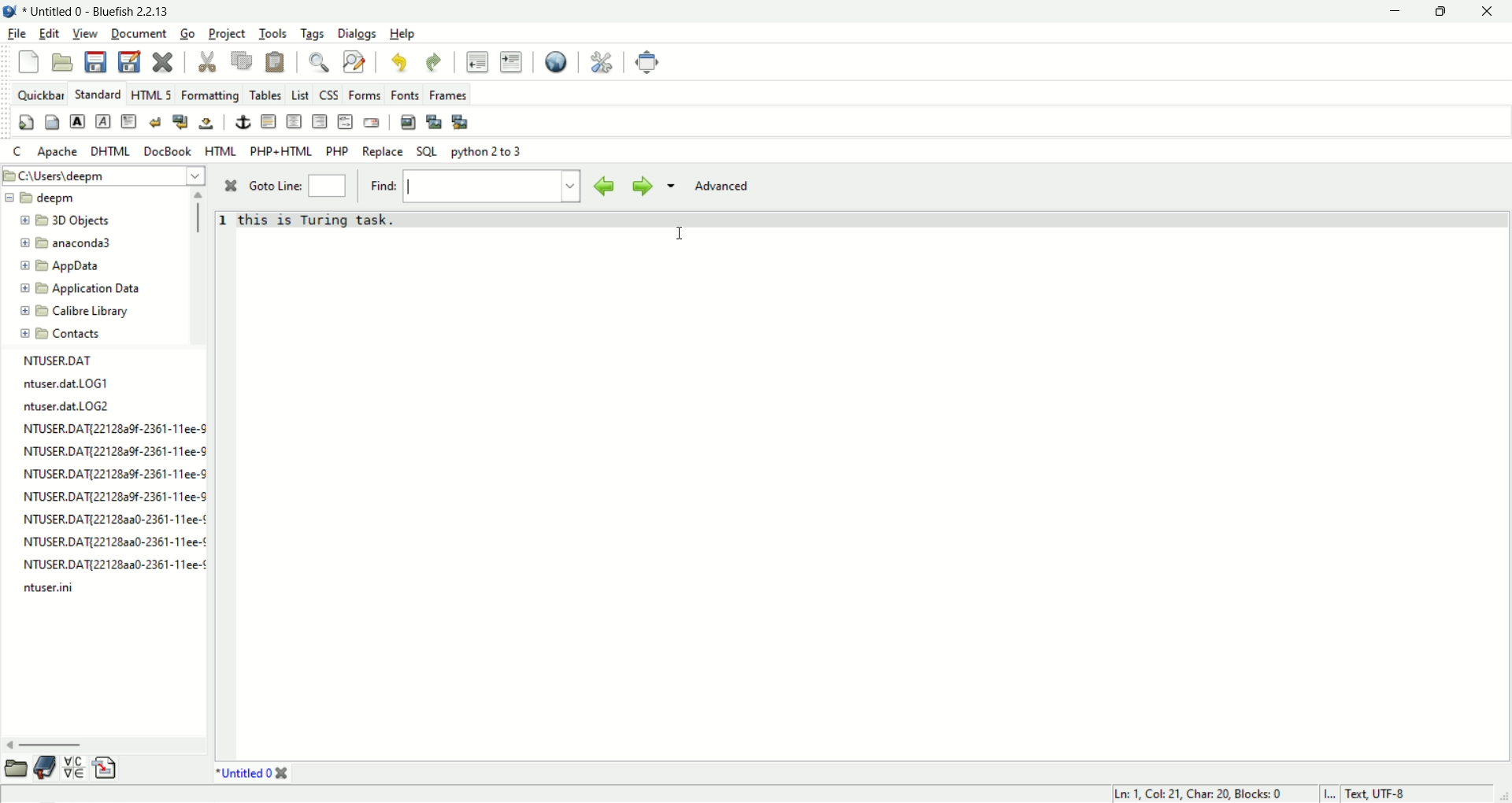  I want to click on formatting, so click(212, 97).